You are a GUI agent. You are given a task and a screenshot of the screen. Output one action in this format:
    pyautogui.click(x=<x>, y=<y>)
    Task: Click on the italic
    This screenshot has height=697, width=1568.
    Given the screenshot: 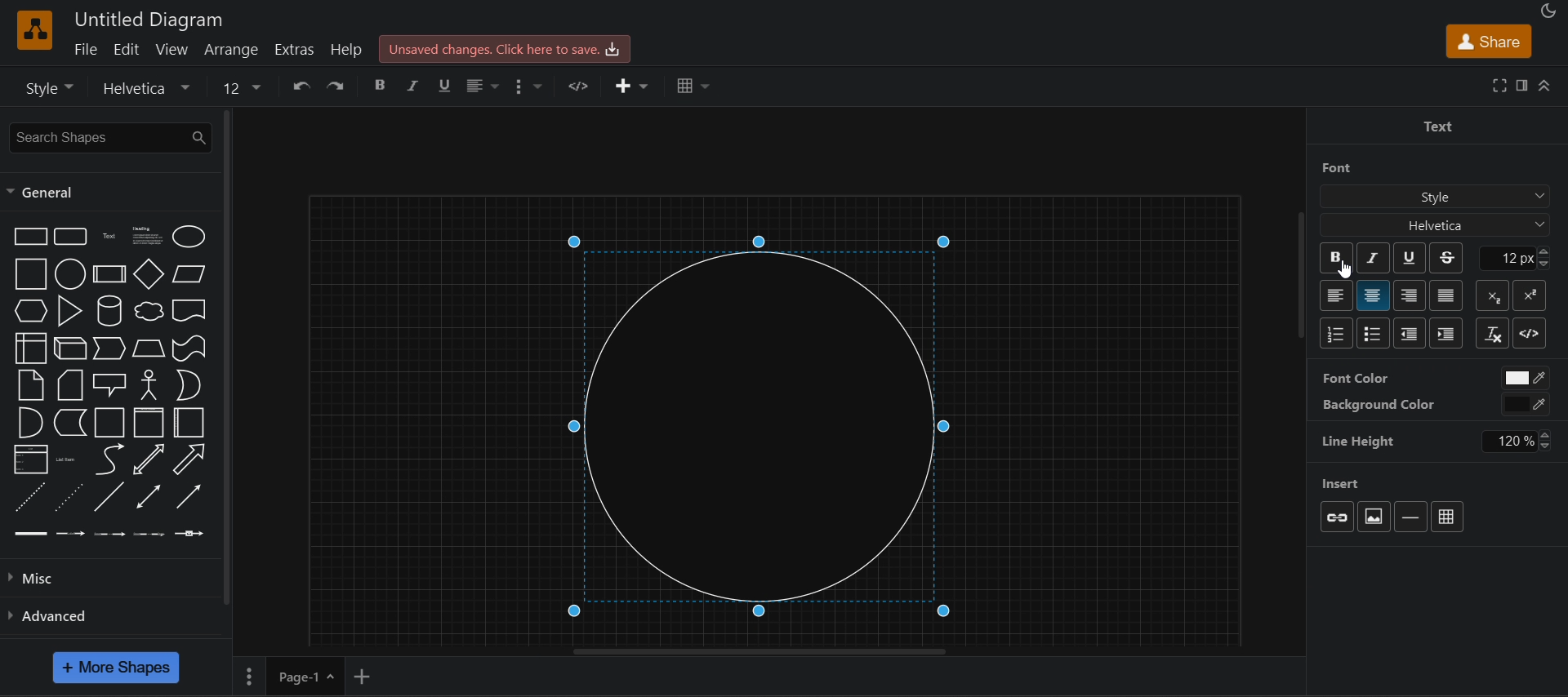 What is the action you would take?
    pyautogui.click(x=414, y=85)
    